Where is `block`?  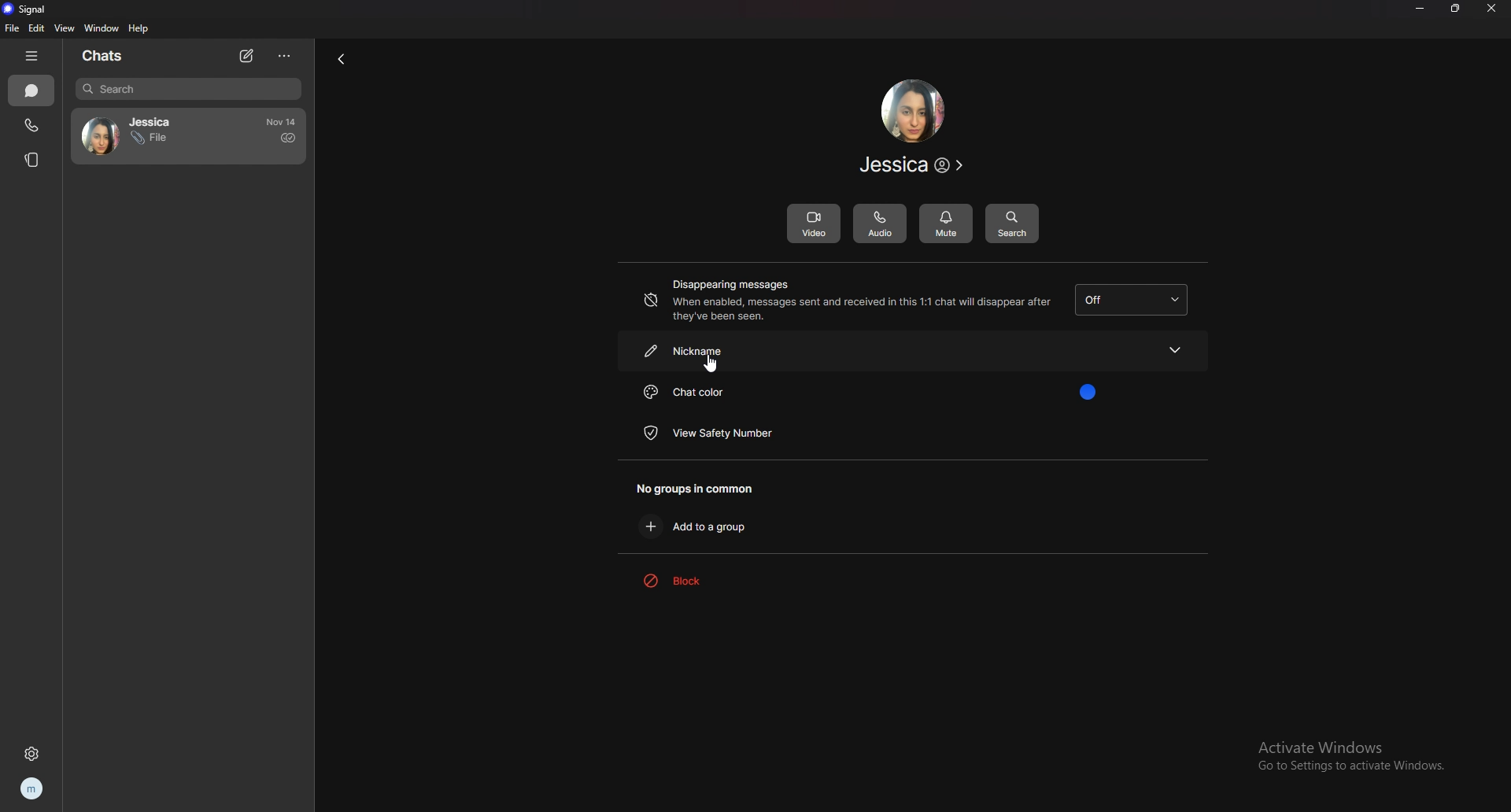
block is located at coordinates (695, 580).